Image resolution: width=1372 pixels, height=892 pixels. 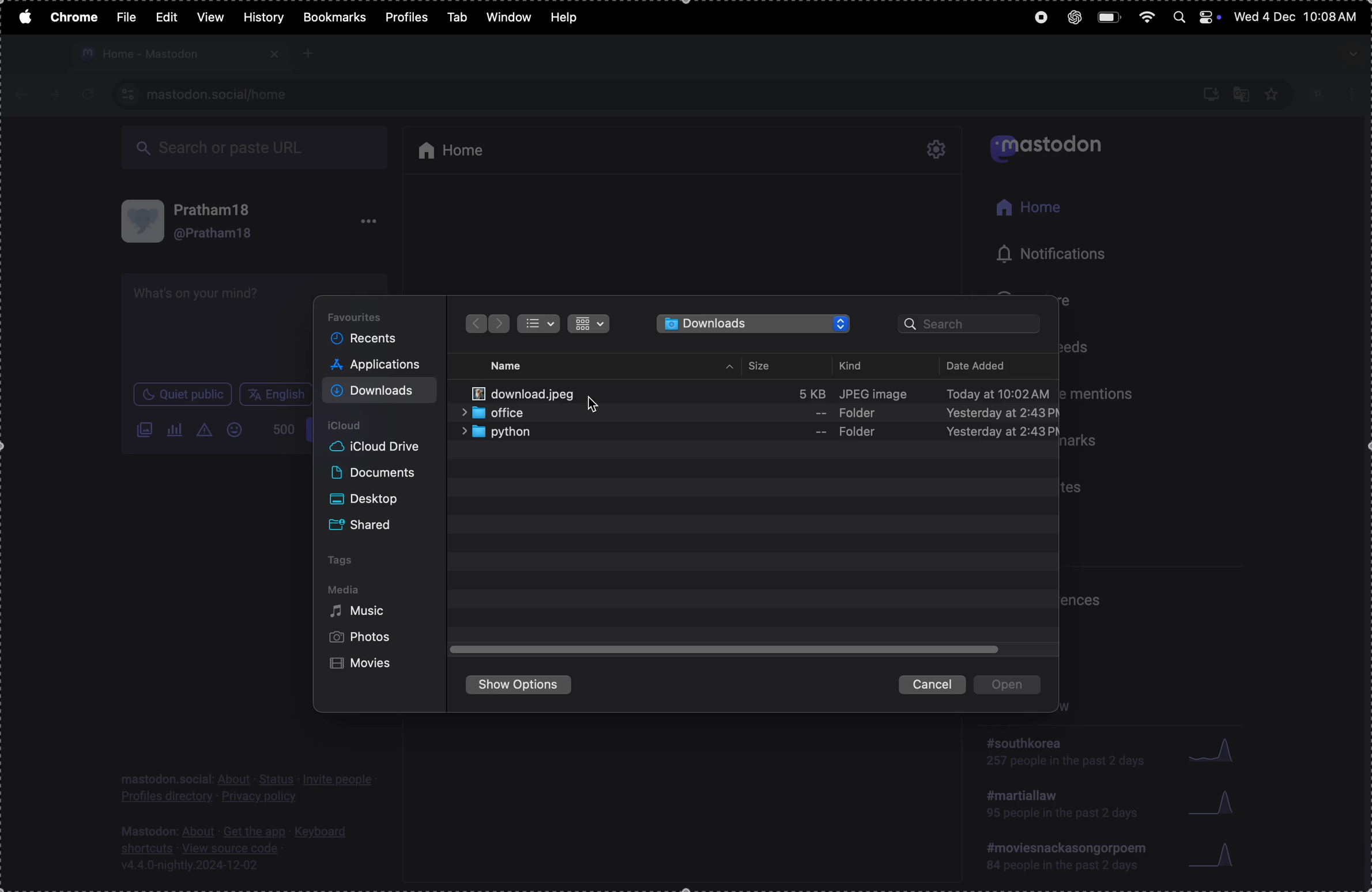 What do you see at coordinates (1217, 857) in the screenshot?
I see `graph` at bounding box center [1217, 857].